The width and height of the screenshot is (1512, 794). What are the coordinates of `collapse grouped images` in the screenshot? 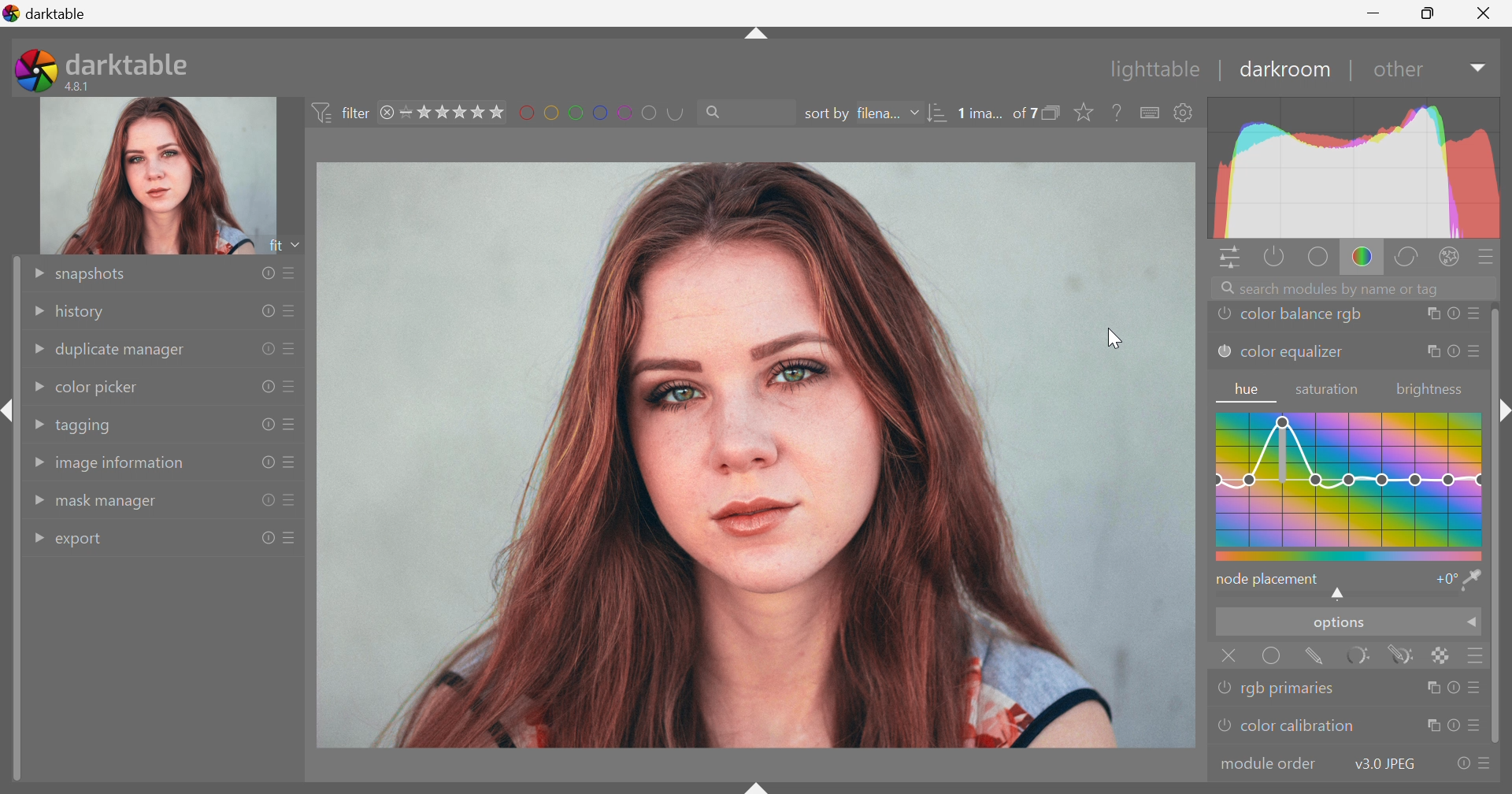 It's located at (1056, 112).